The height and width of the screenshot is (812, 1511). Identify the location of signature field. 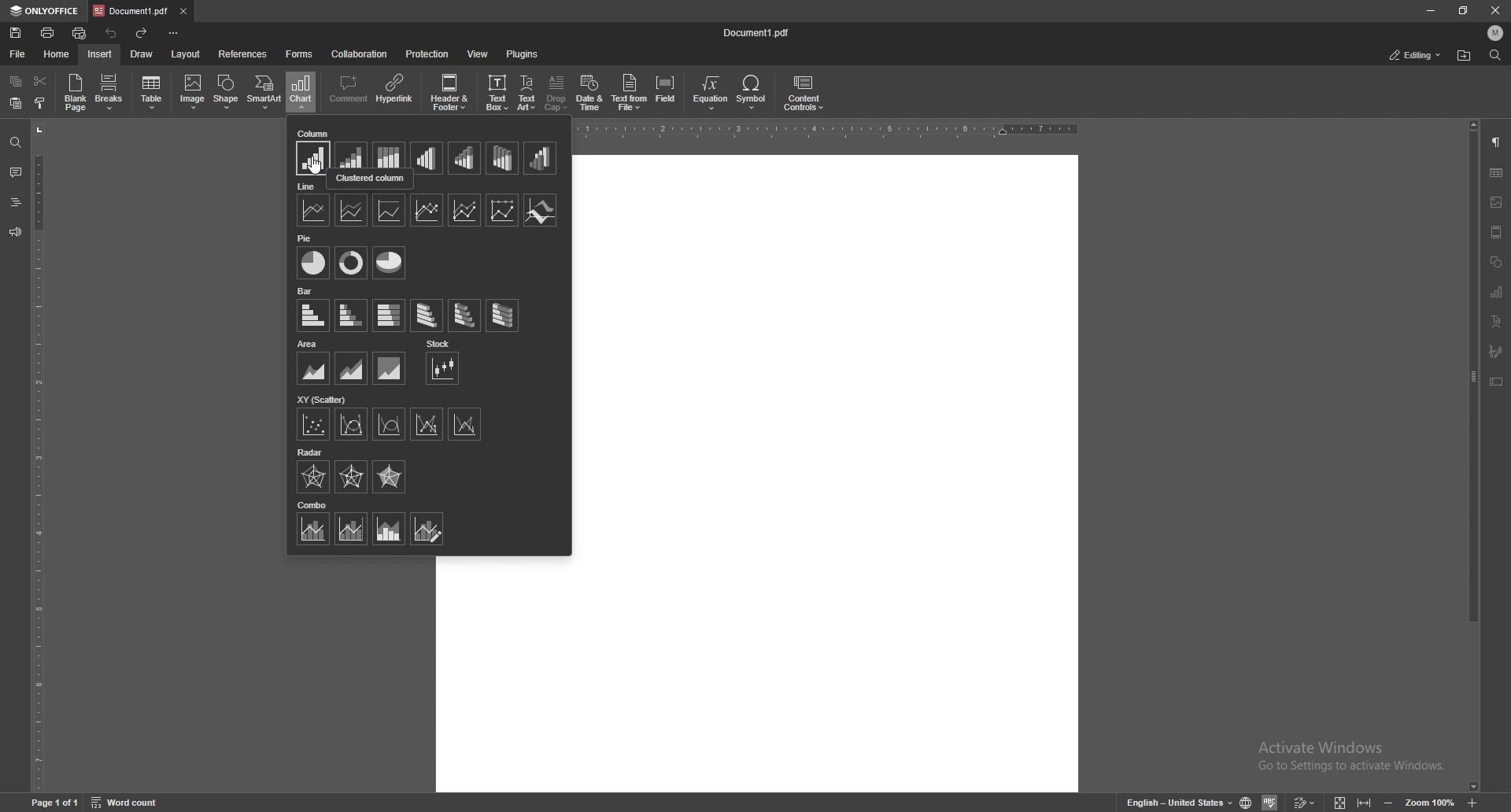
(1495, 352).